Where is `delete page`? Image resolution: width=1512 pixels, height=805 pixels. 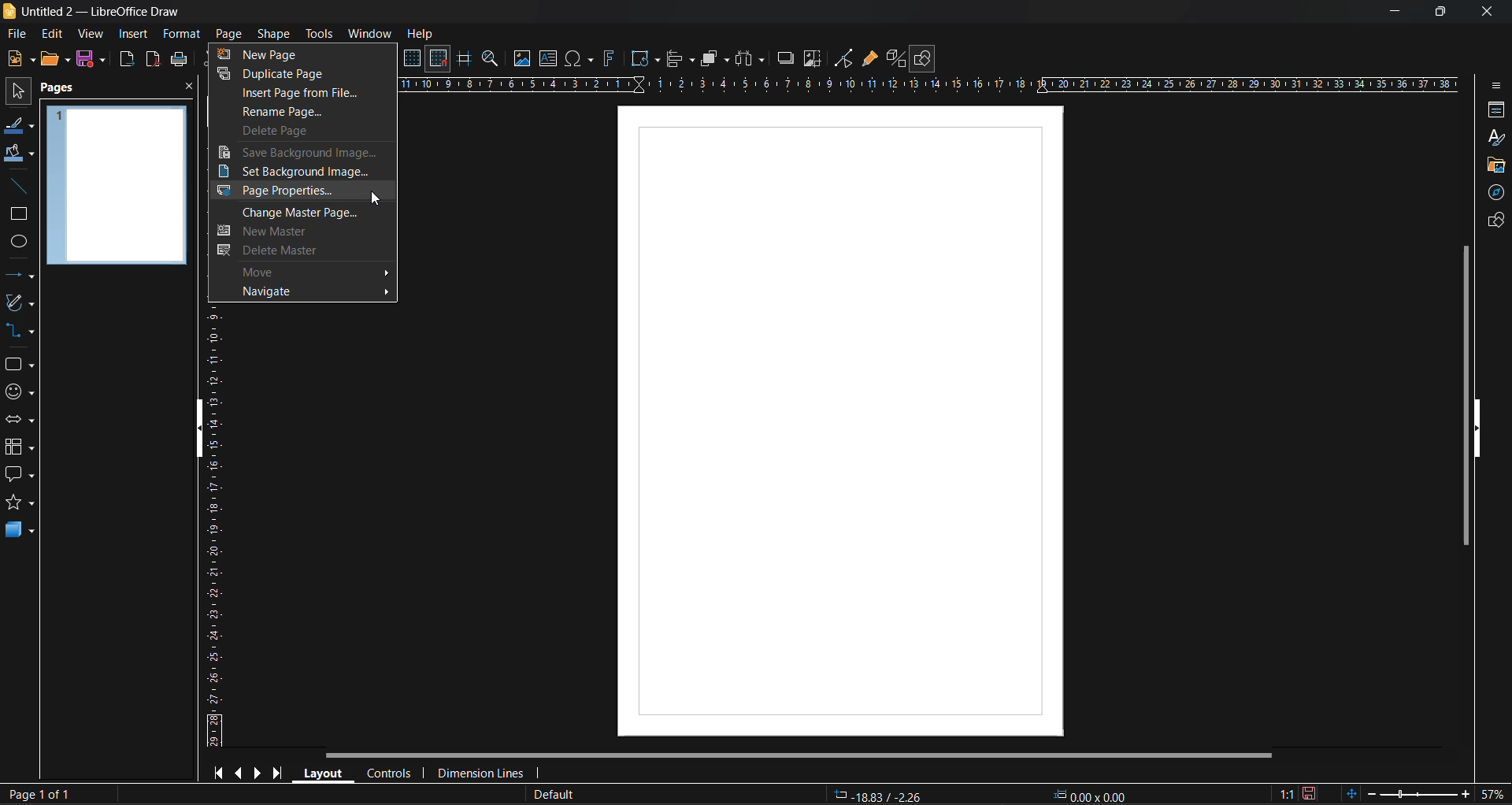
delete page is located at coordinates (279, 133).